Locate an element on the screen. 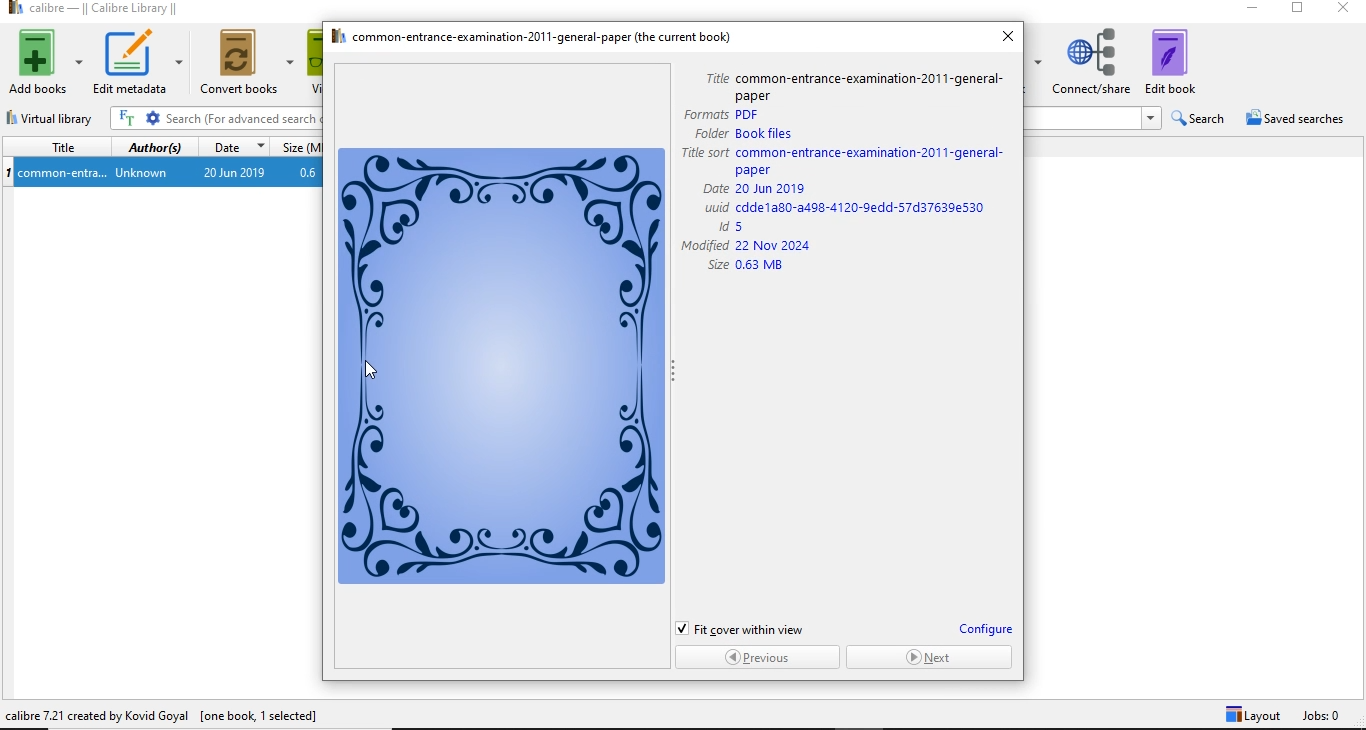 The height and width of the screenshot is (730, 1366). next is located at coordinates (931, 657).